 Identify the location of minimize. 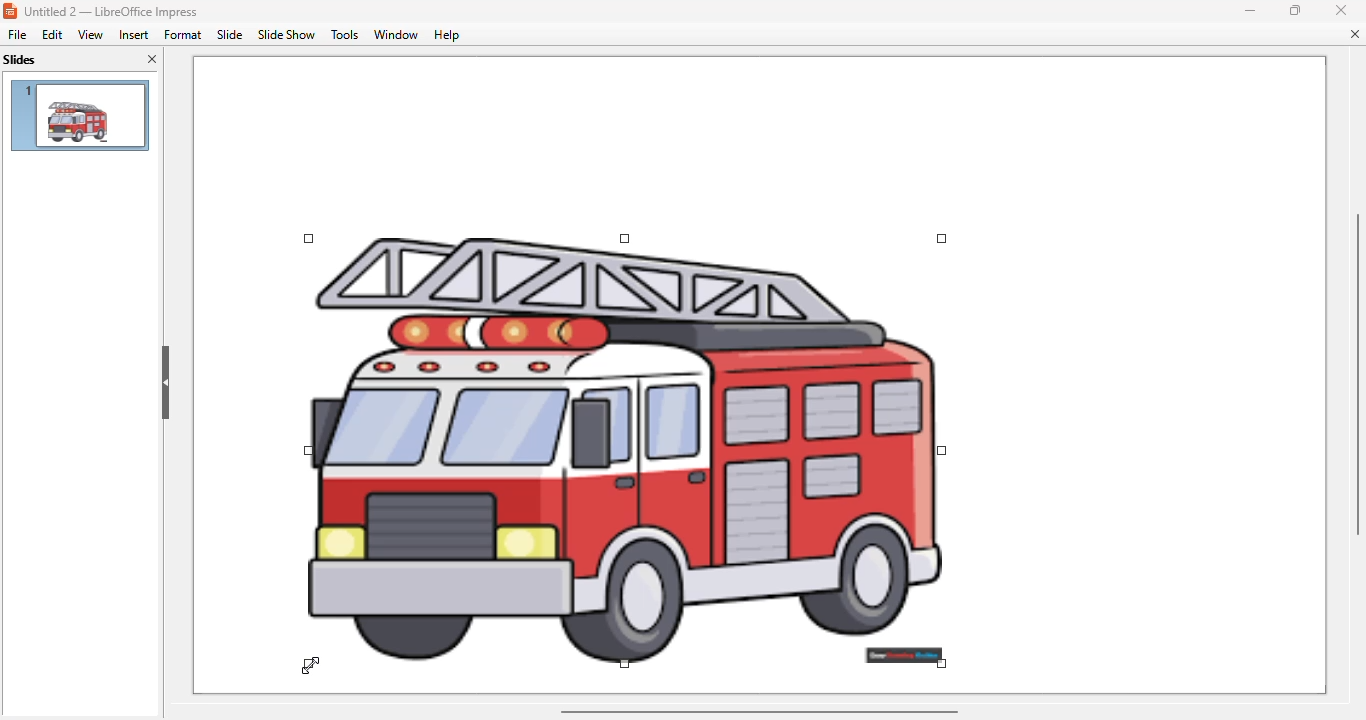
(1251, 11).